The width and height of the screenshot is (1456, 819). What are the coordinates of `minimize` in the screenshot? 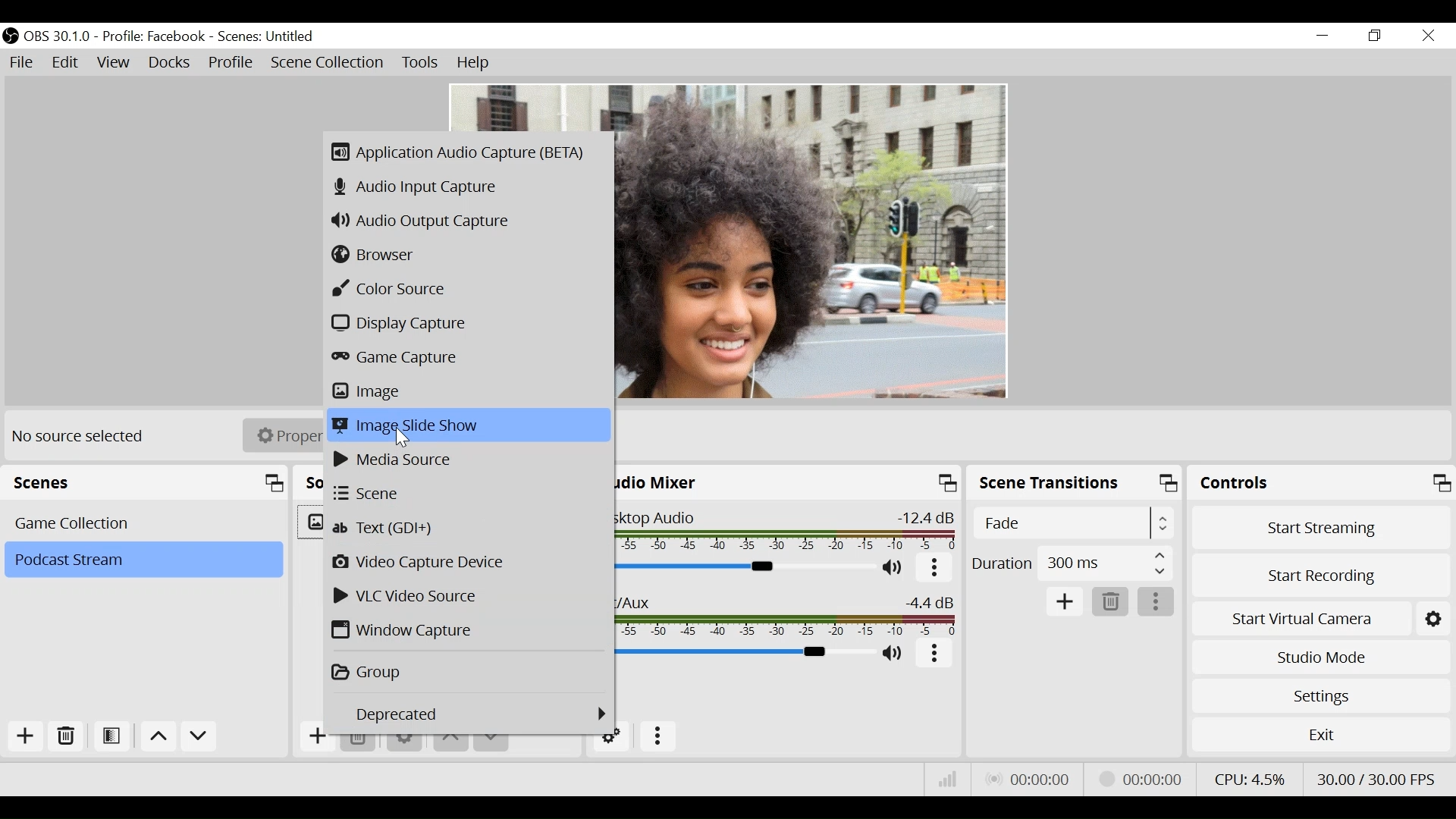 It's located at (1326, 36).